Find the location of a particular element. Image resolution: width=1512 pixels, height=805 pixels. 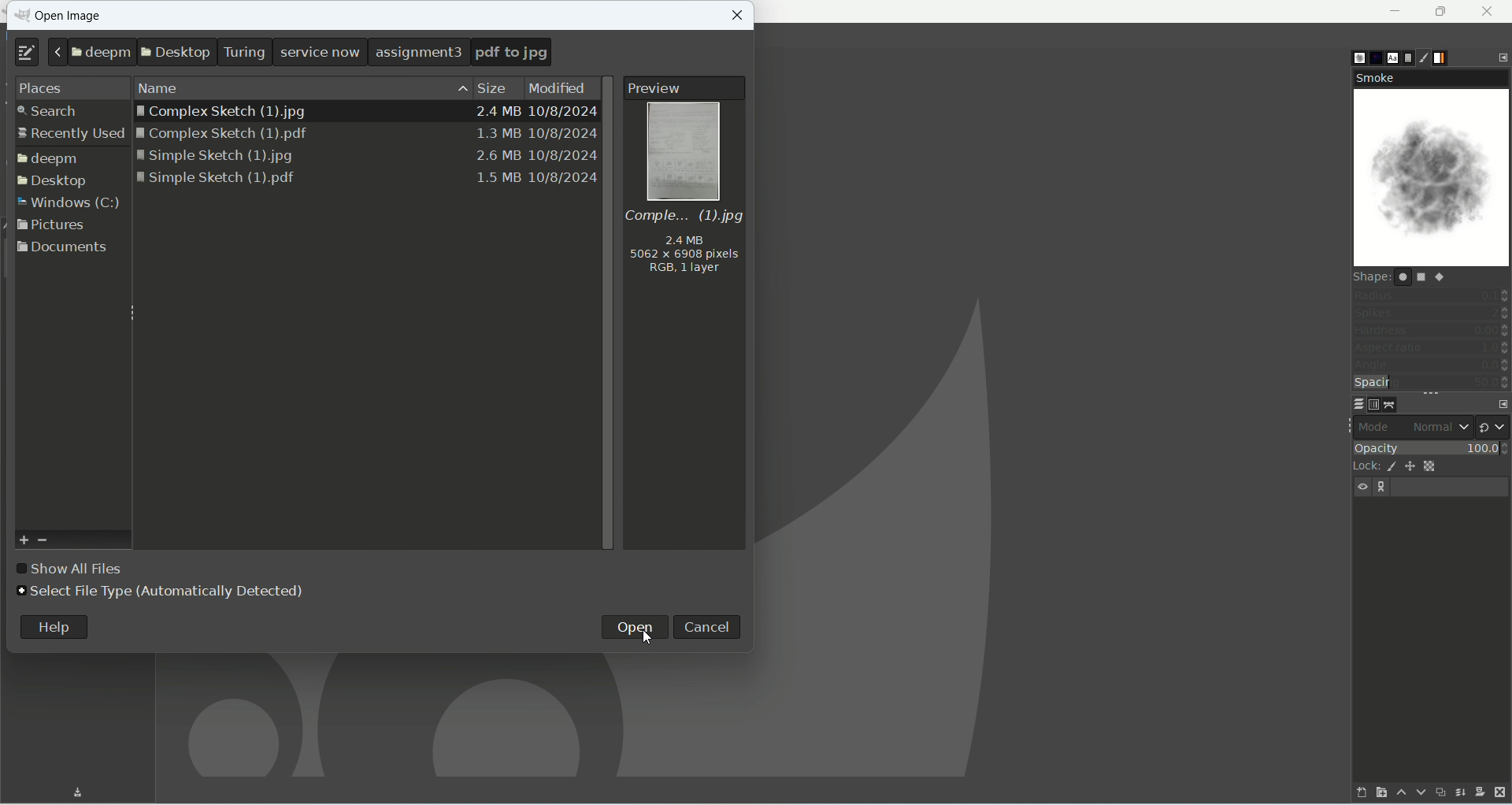

earch is located at coordinates (63, 112).